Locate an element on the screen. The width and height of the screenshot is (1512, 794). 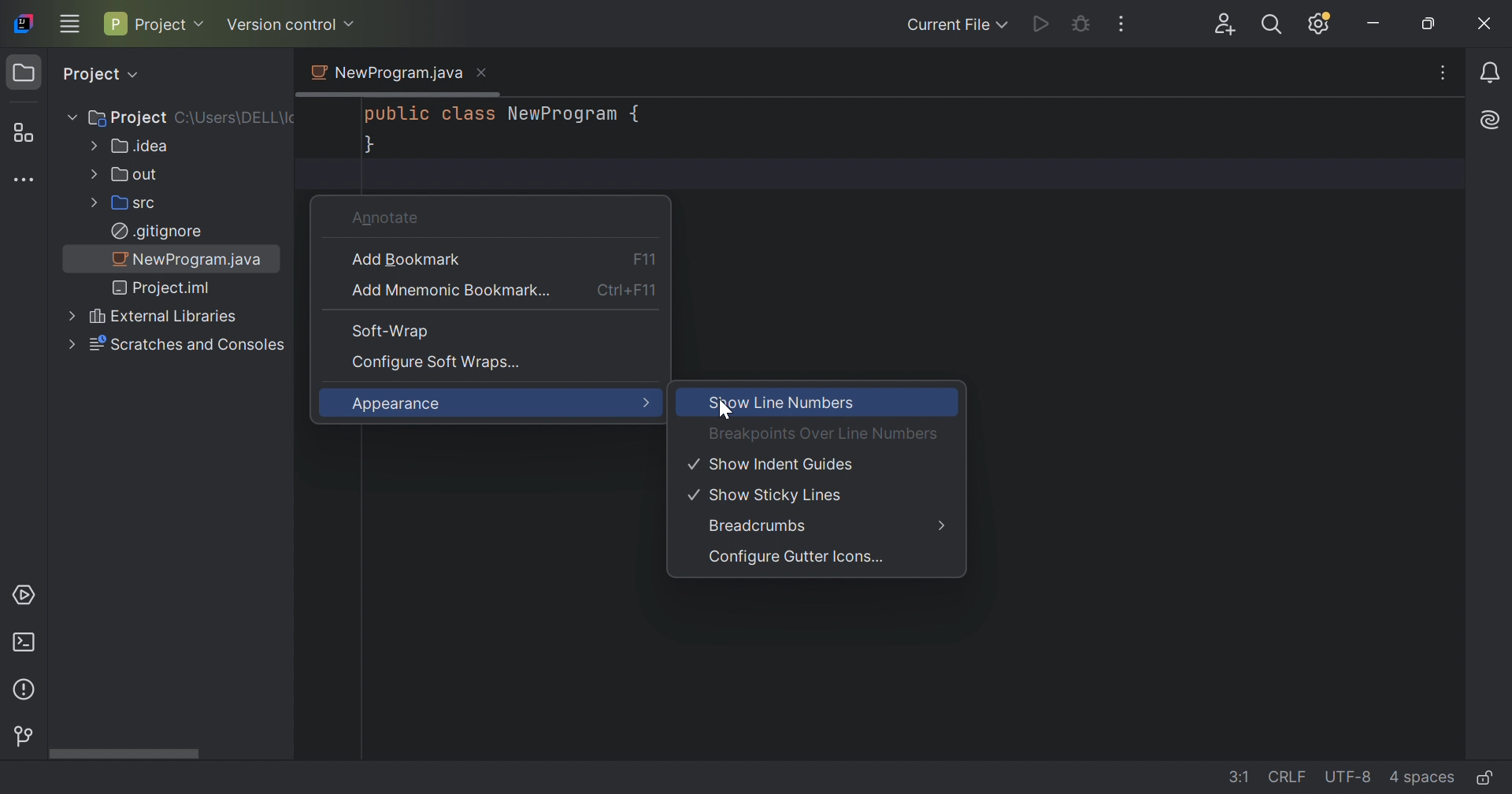
Main menu is located at coordinates (69, 23).